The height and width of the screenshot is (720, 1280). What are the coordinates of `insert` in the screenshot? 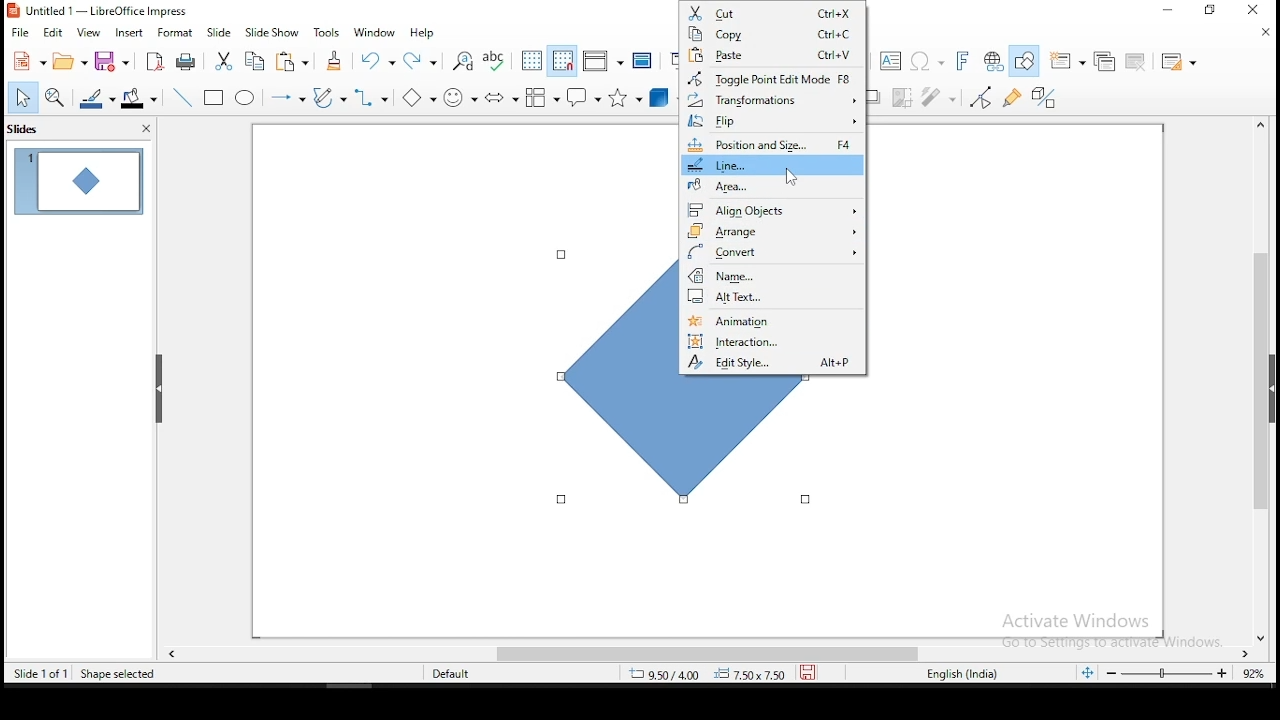 It's located at (127, 32).